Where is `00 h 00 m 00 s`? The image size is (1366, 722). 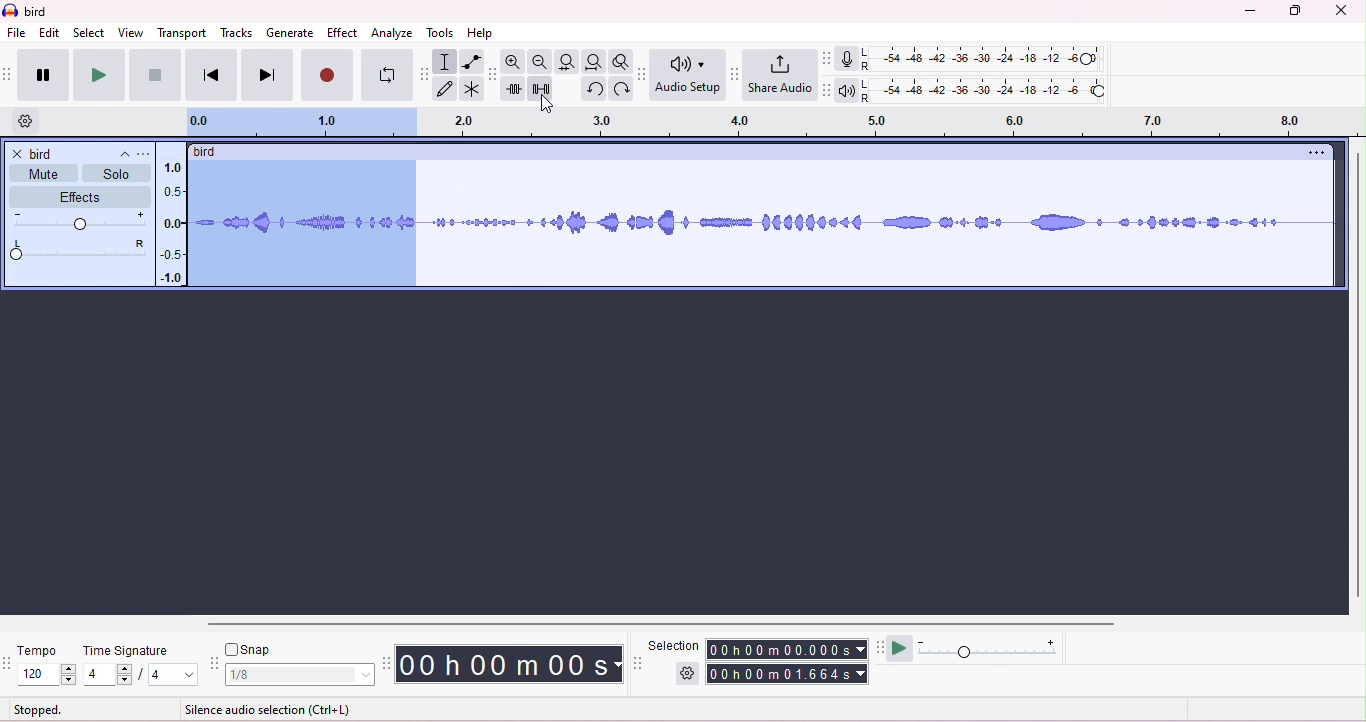
00 h 00 m 00 s is located at coordinates (512, 663).